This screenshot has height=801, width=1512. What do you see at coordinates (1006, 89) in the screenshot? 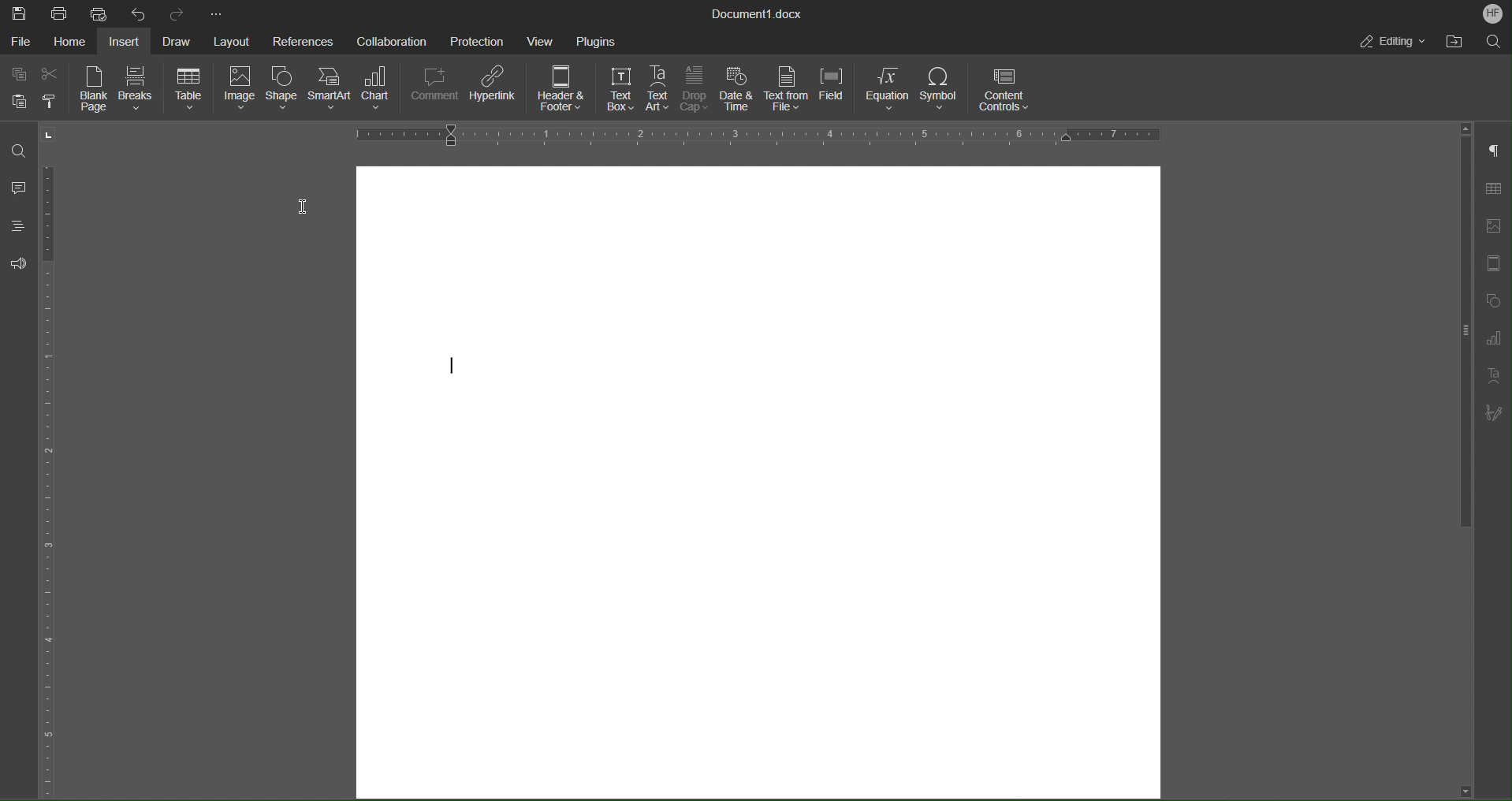
I see `Content Controls` at bounding box center [1006, 89].